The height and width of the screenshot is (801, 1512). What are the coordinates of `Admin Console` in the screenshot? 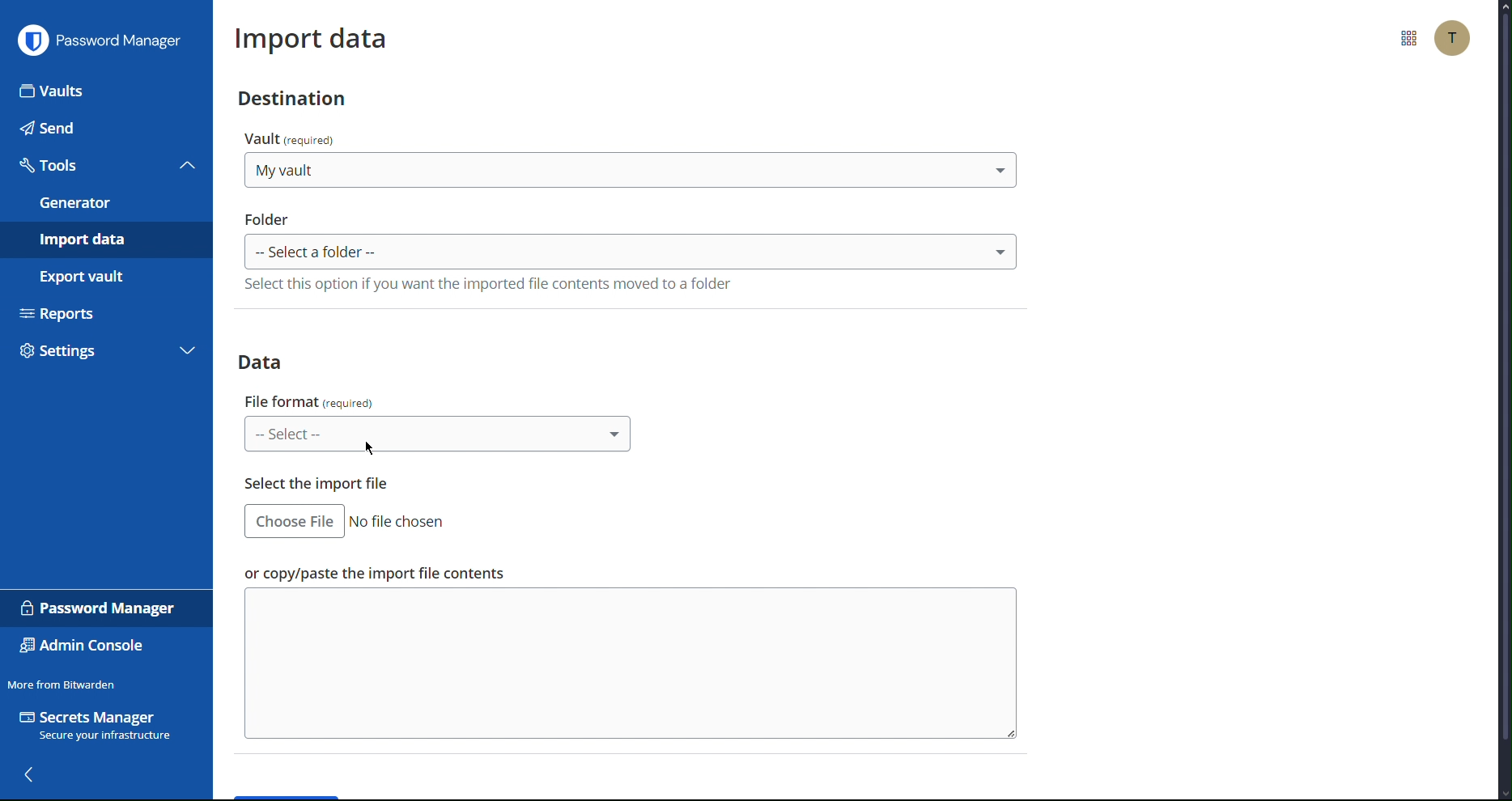 It's located at (83, 647).